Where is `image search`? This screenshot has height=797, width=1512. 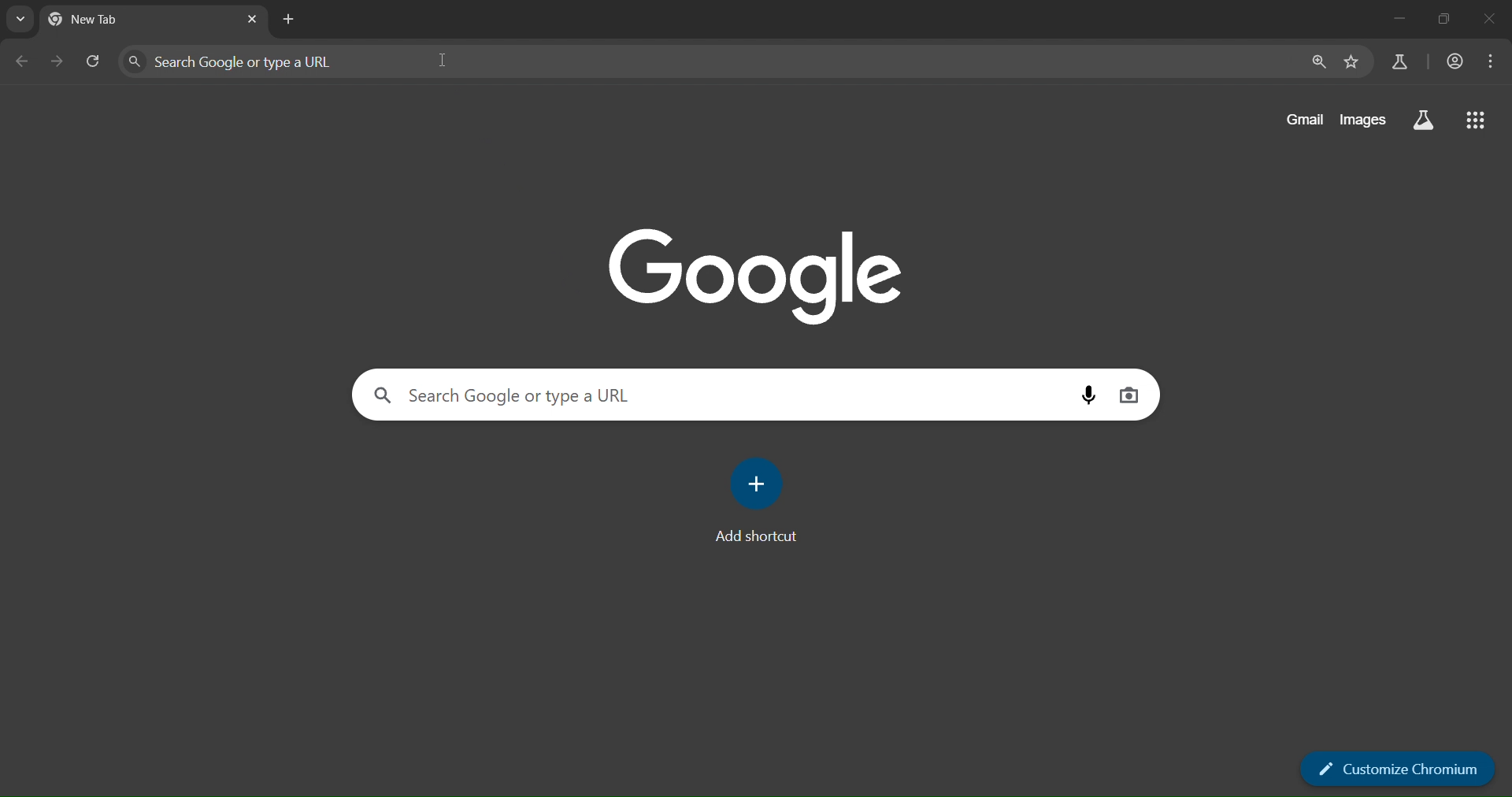 image search is located at coordinates (1128, 395).